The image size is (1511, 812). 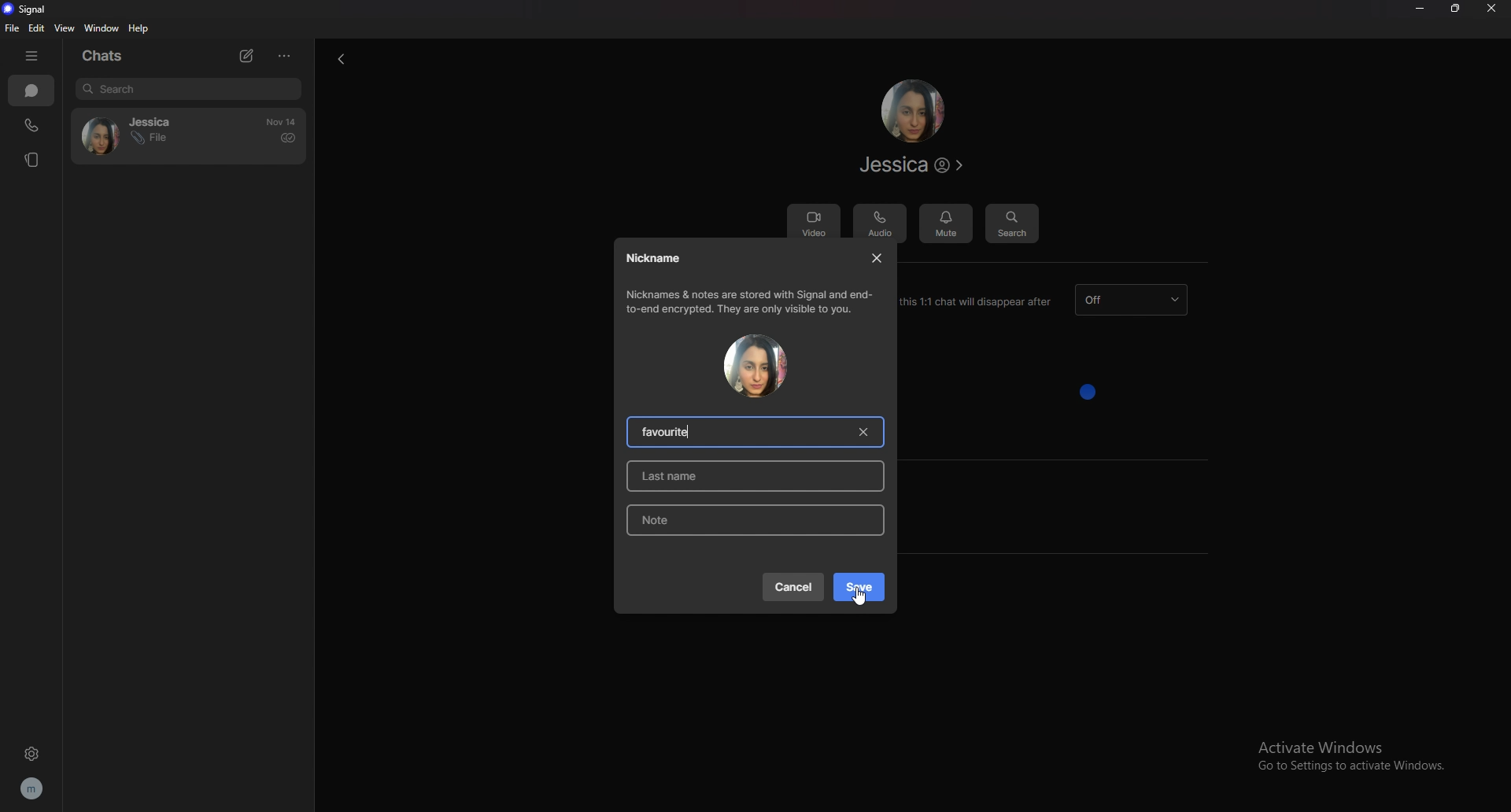 What do you see at coordinates (656, 258) in the screenshot?
I see `nickname` at bounding box center [656, 258].